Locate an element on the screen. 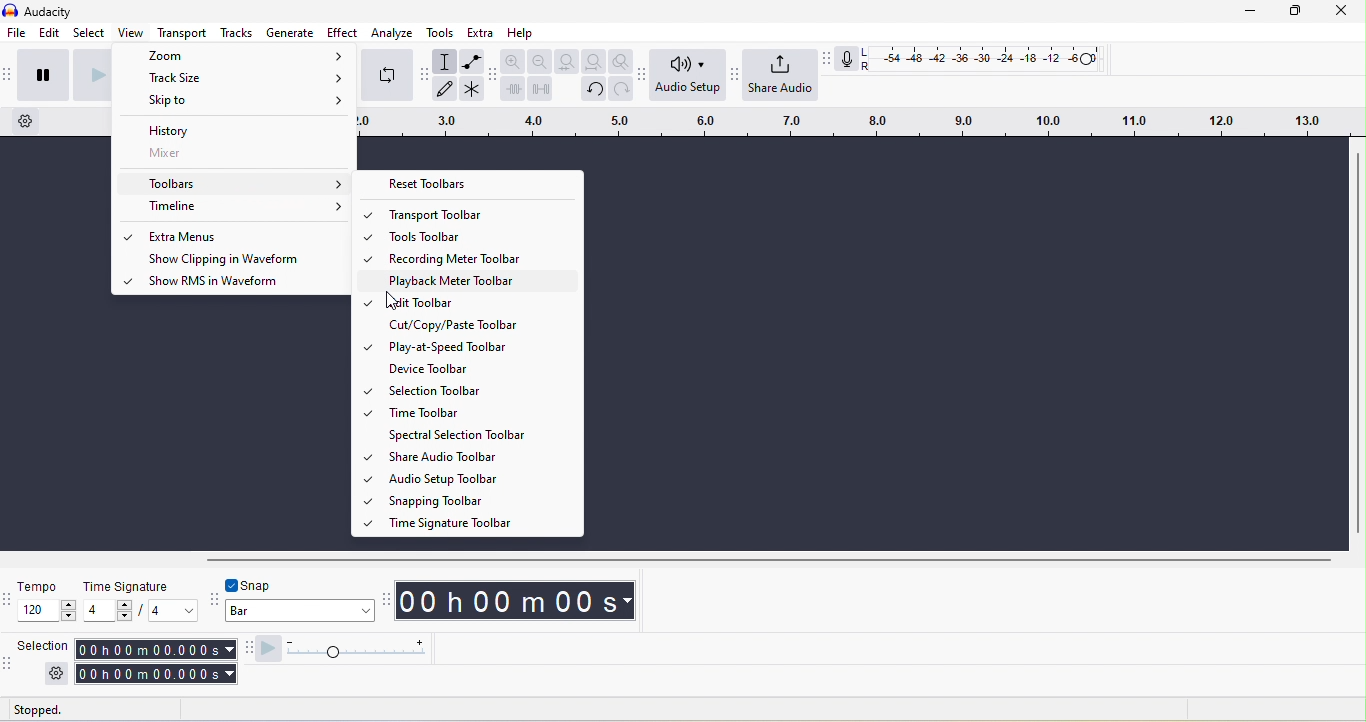 The height and width of the screenshot is (722, 1366). Time signature toolbar  is located at coordinates (480, 522).